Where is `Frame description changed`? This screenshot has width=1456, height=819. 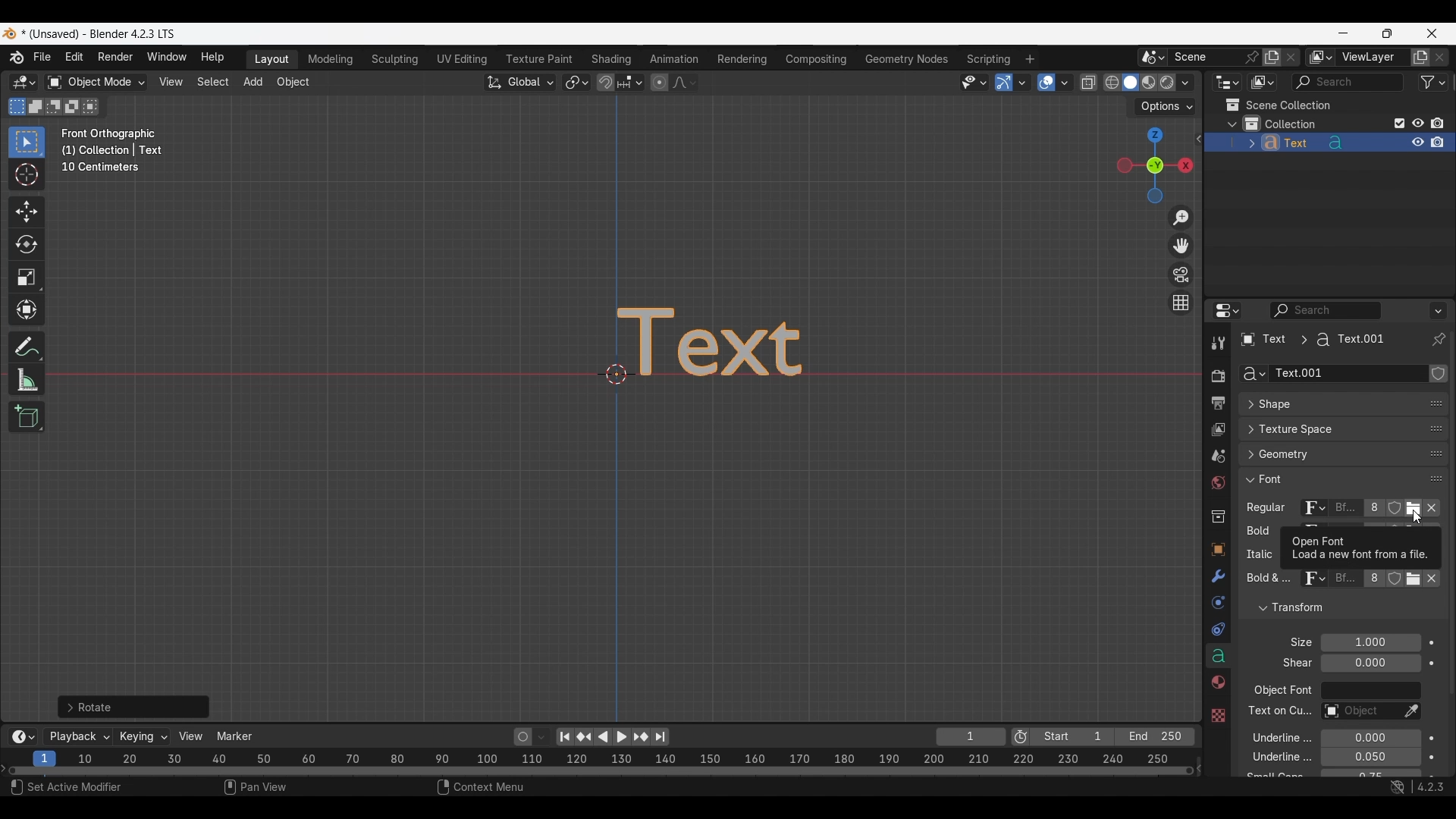 Frame description changed is located at coordinates (112, 150).